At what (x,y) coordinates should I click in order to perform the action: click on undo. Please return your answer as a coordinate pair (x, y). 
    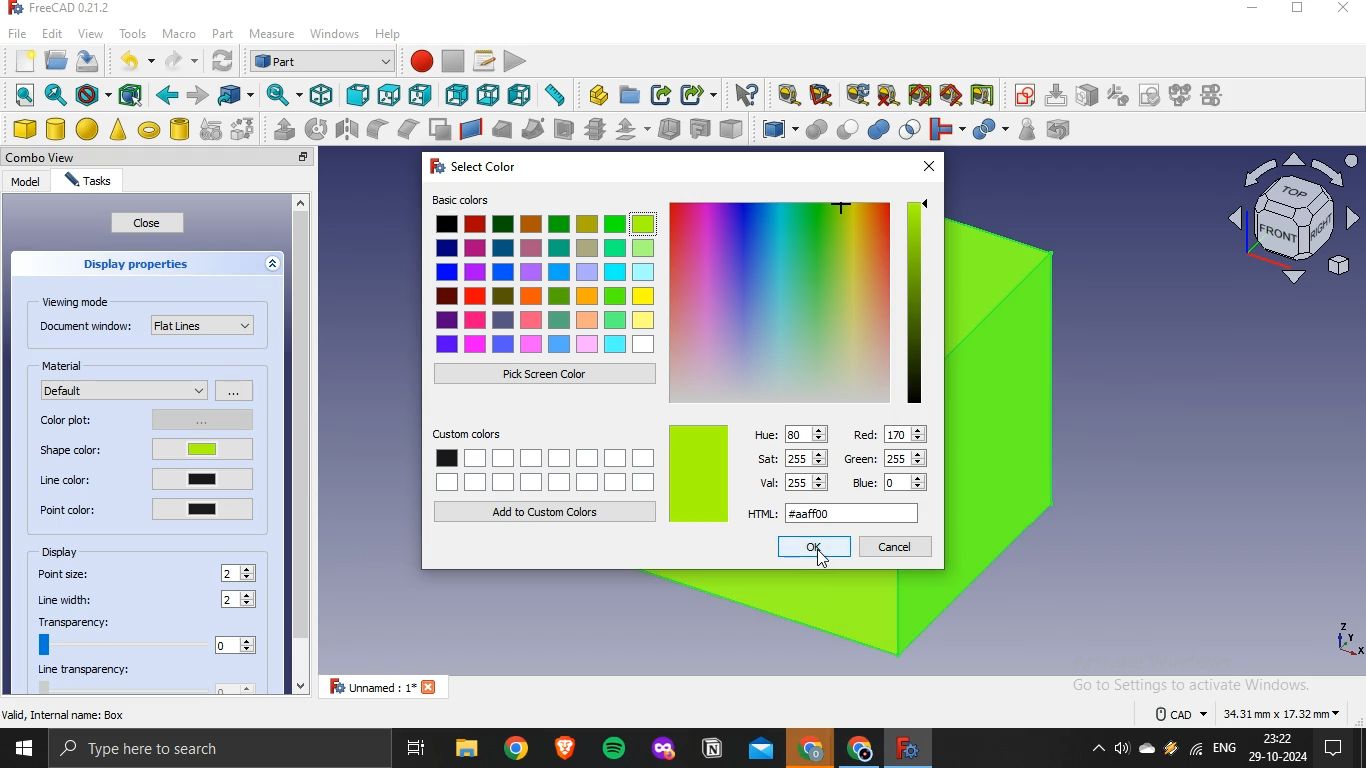
    Looking at the image, I should click on (128, 60).